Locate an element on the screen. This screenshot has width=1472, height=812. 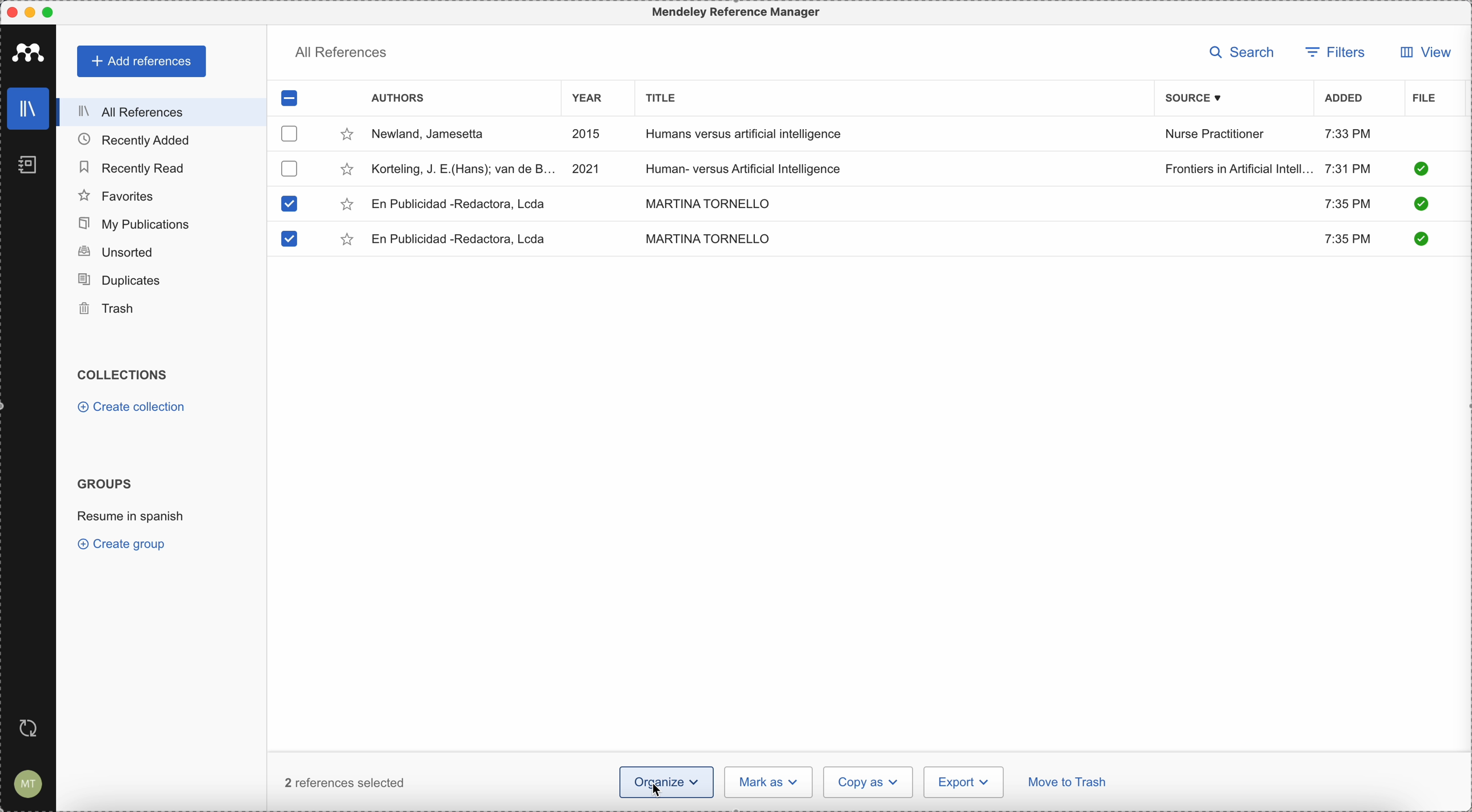
source is located at coordinates (1202, 98).